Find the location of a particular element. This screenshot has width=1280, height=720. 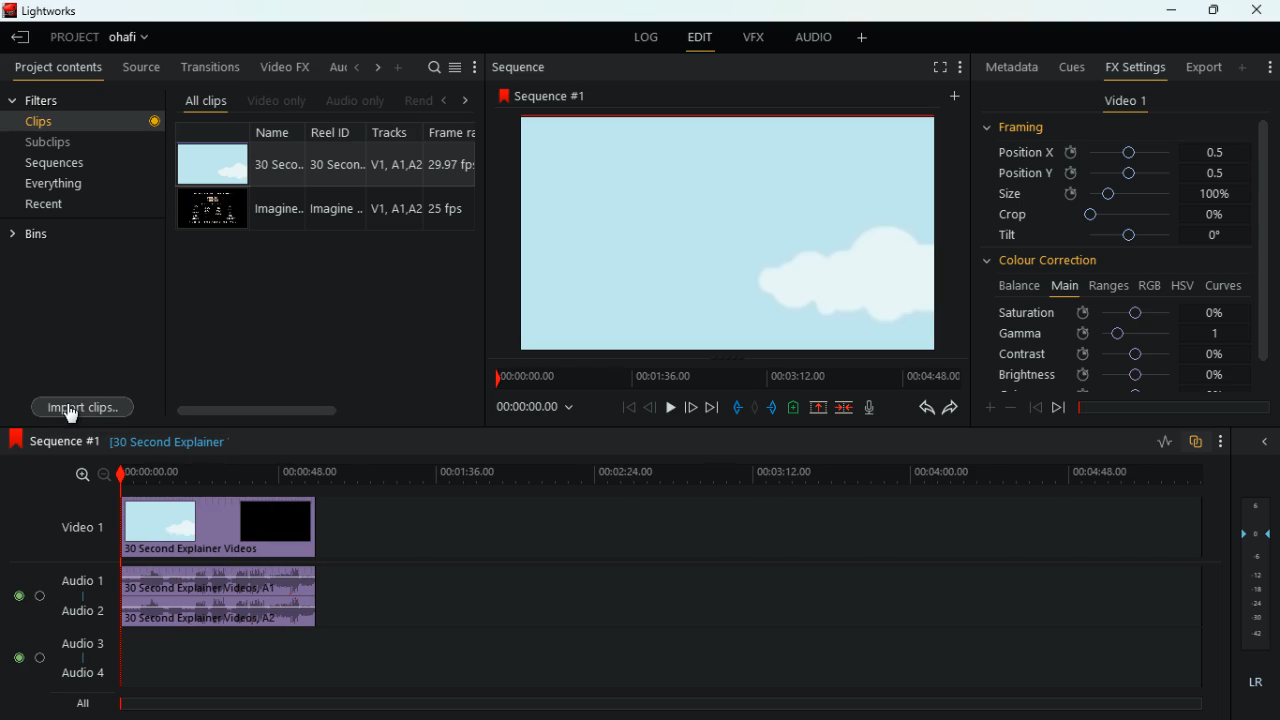

vertical scroll bar is located at coordinates (1264, 239).